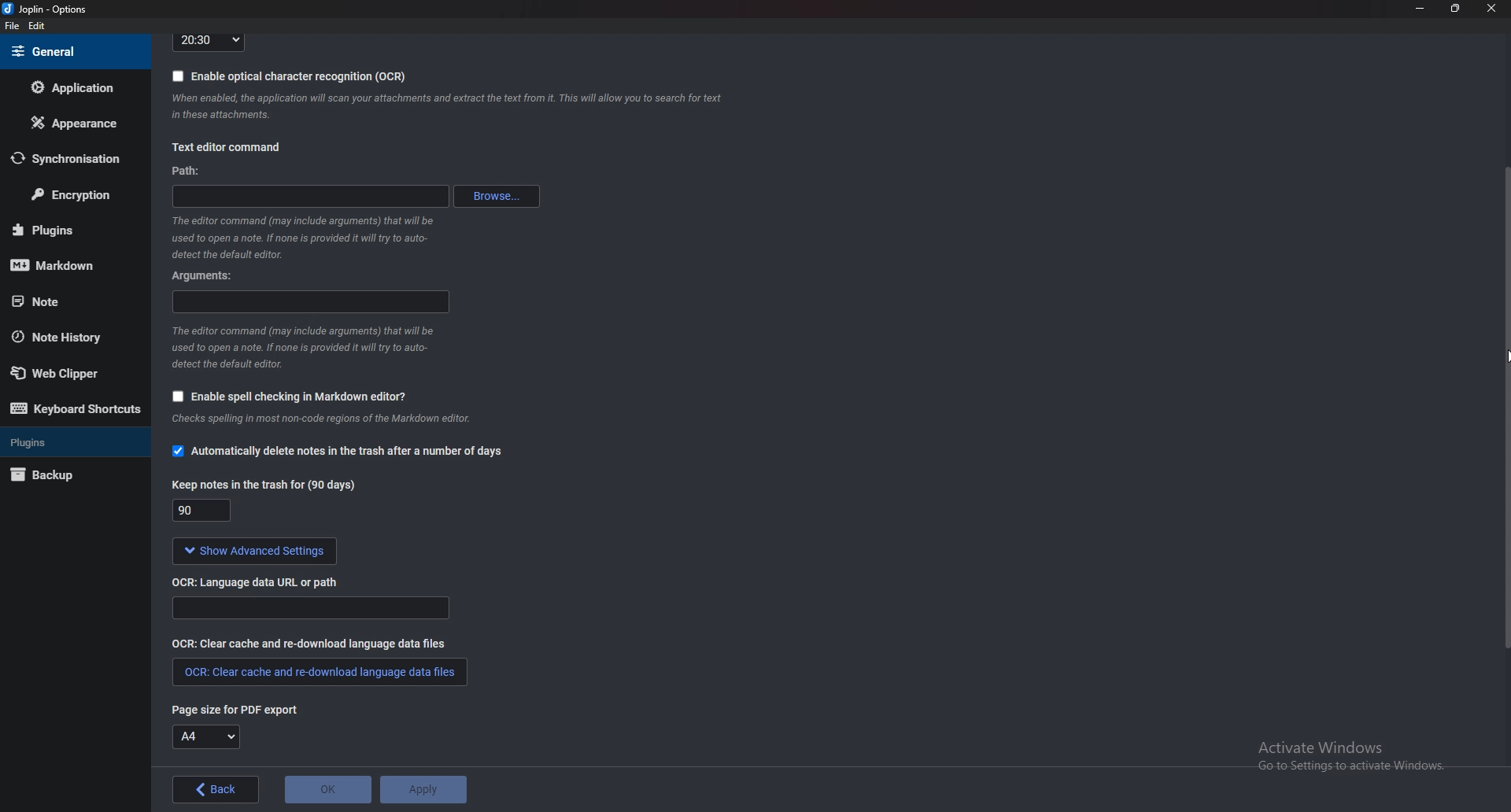 The image size is (1511, 812). What do you see at coordinates (205, 512) in the screenshot?
I see `Keep notes in the trash for` at bounding box center [205, 512].